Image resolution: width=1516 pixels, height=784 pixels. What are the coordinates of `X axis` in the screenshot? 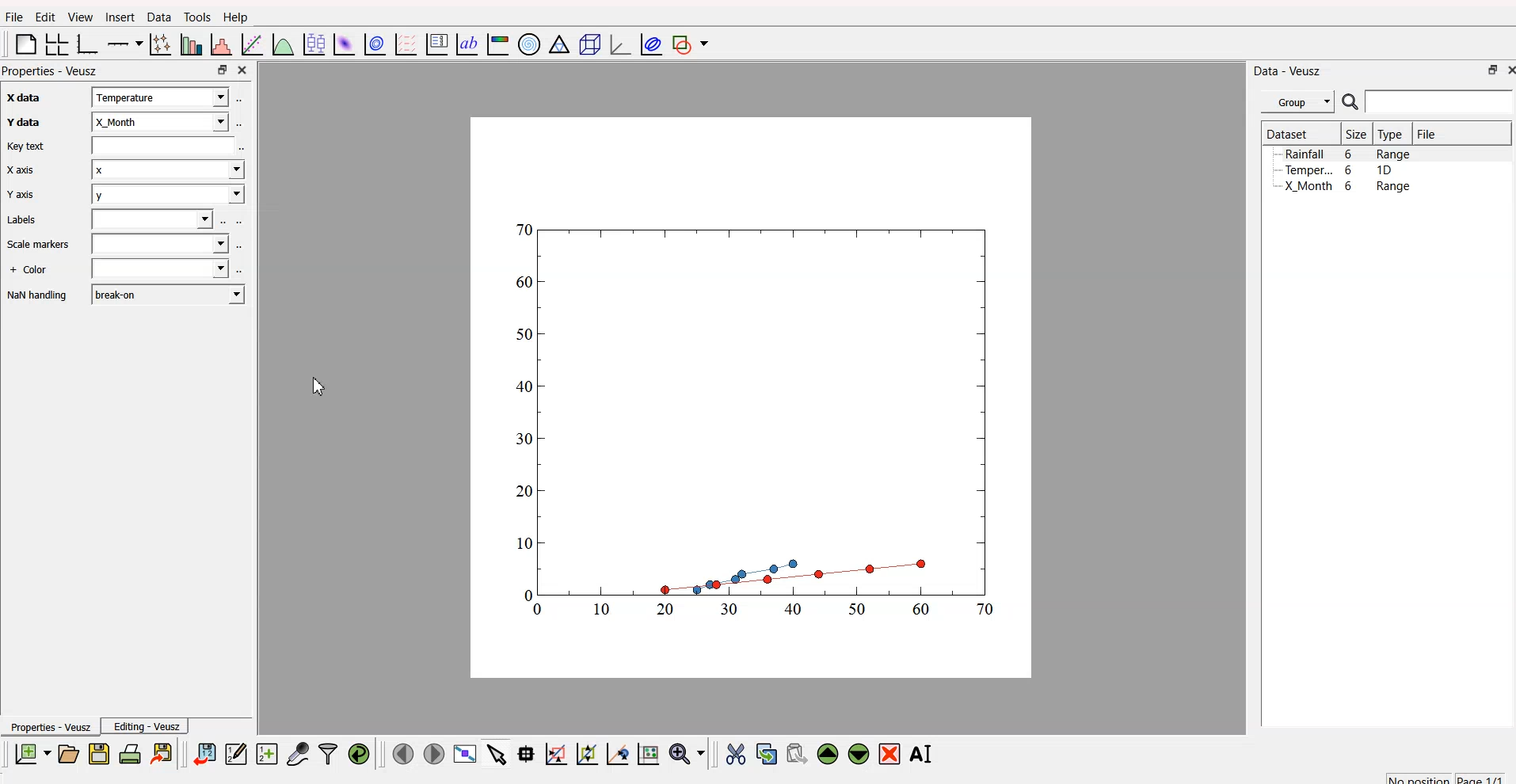 It's located at (22, 170).